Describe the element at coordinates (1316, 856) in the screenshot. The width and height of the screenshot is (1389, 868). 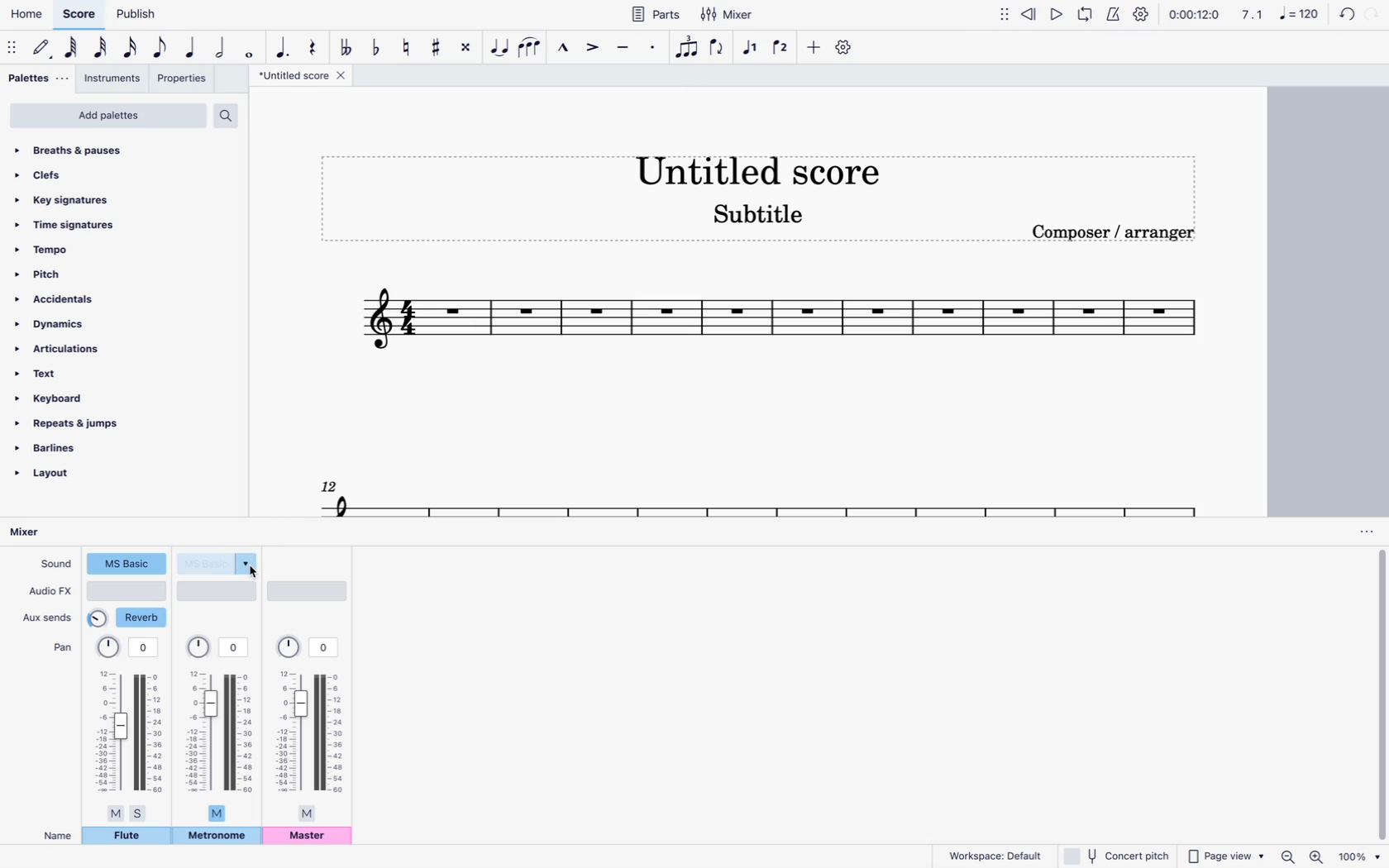
I see `zoom in` at that location.